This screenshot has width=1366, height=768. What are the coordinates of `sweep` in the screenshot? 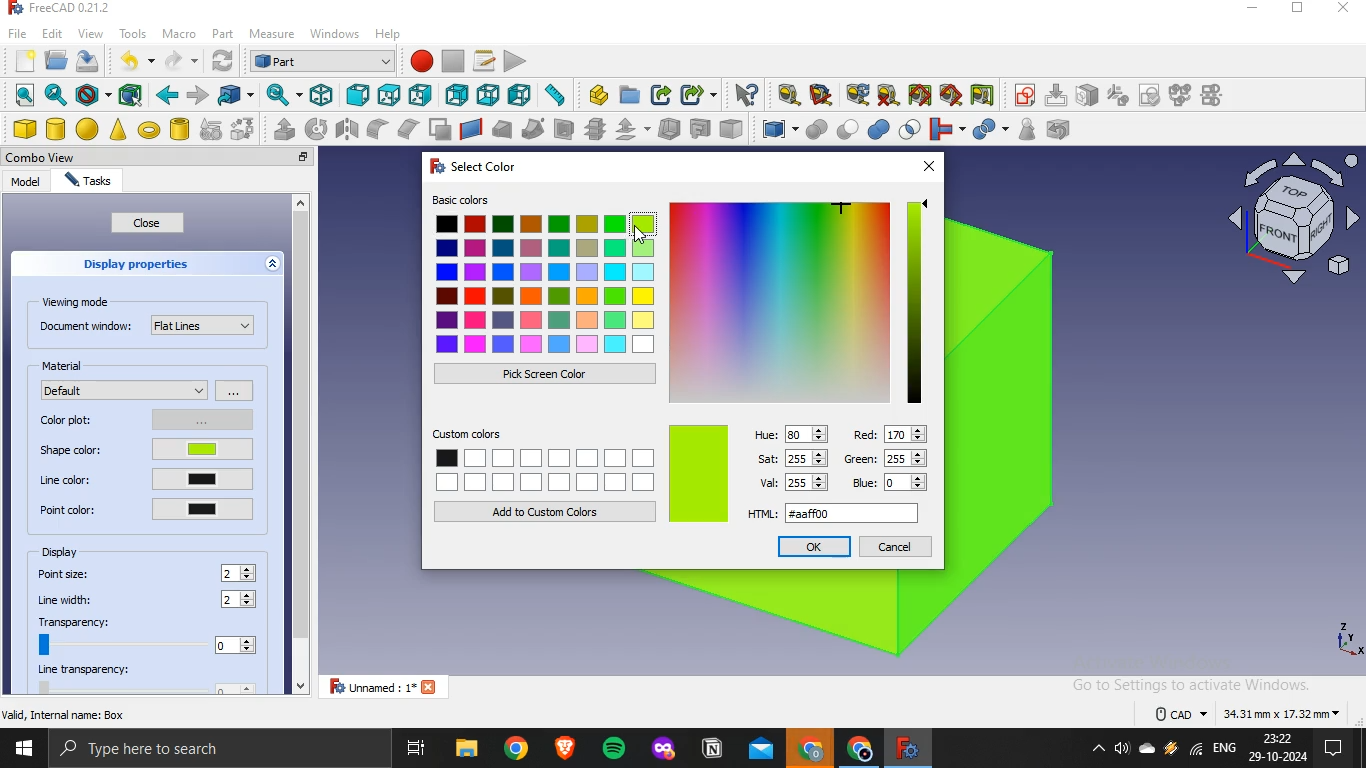 It's located at (533, 128).